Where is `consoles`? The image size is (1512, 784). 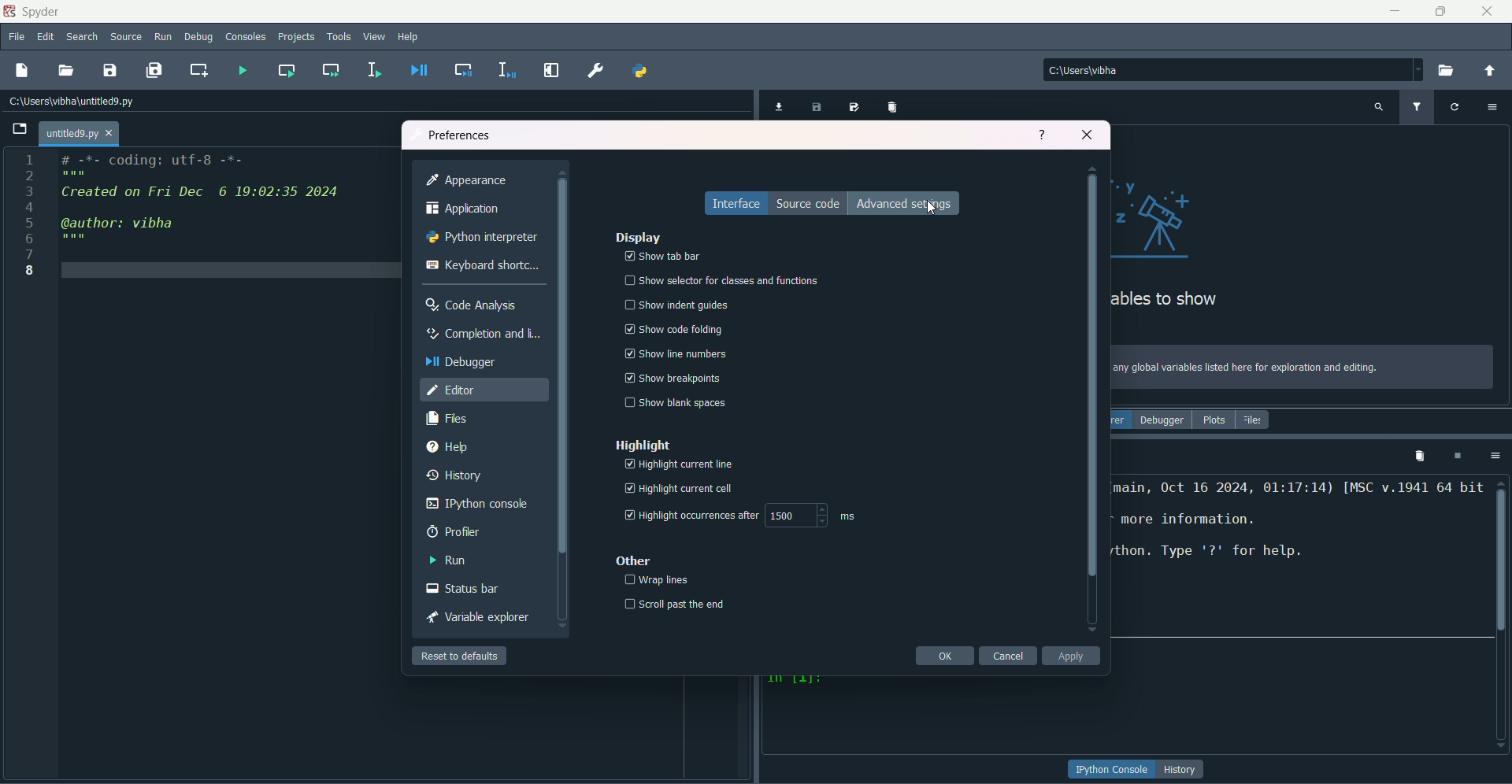 consoles is located at coordinates (246, 36).